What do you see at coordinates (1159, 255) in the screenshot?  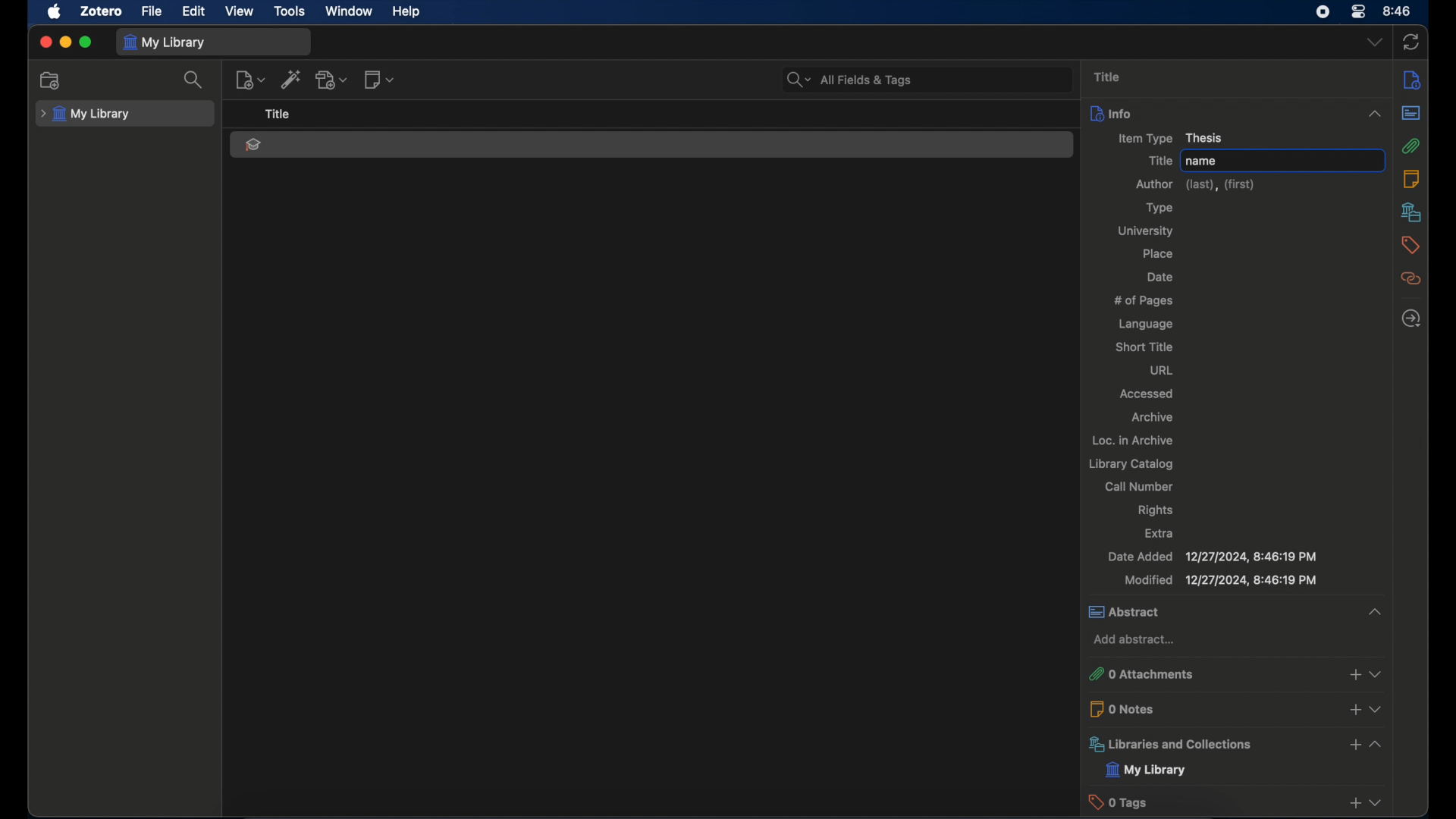 I see `place` at bounding box center [1159, 255].